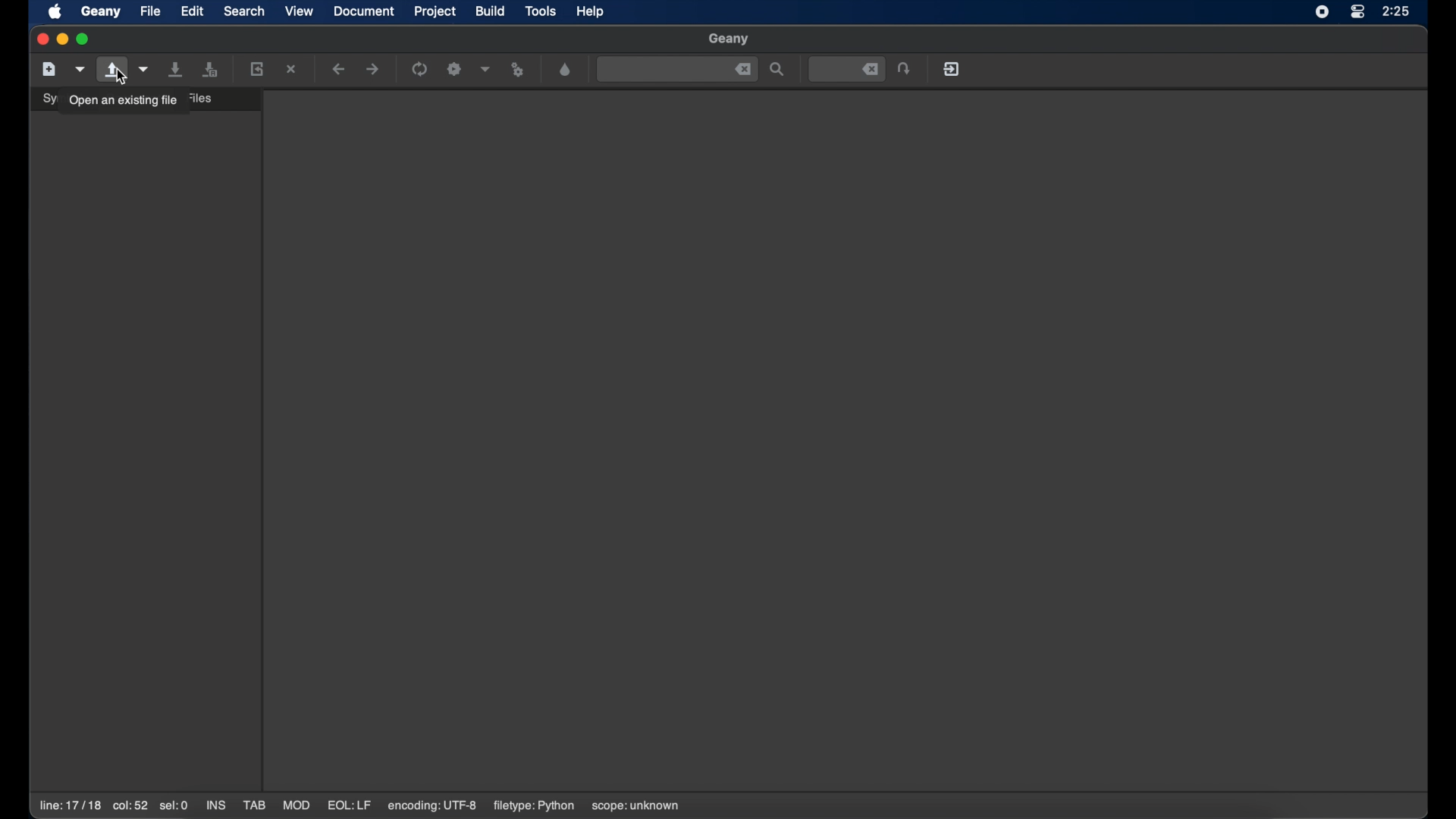 The width and height of the screenshot is (1456, 819). Describe the element at coordinates (728, 39) in the screenshot. I see `geany` at that location.